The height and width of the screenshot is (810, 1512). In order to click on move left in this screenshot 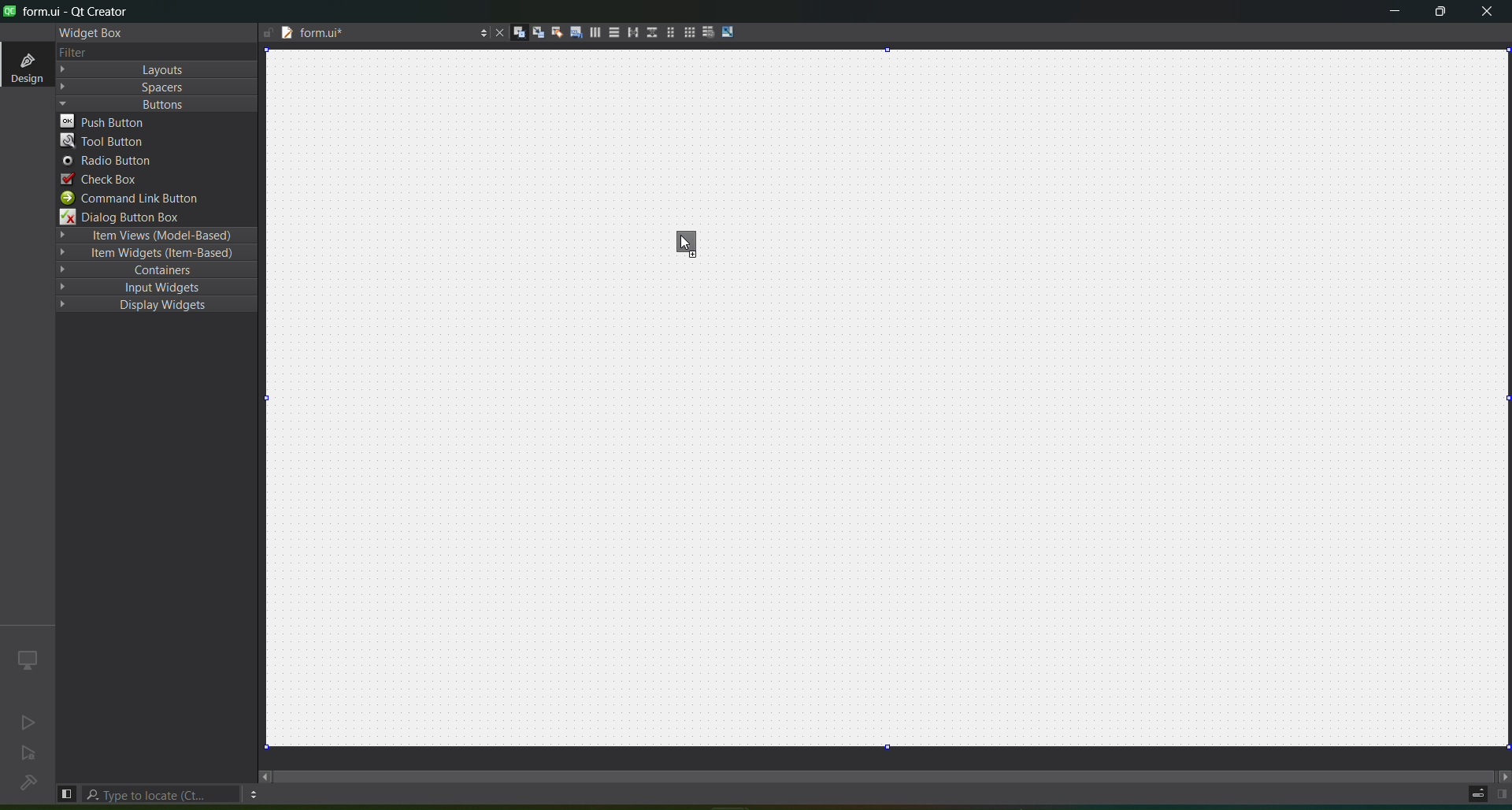, I will do `click(263, 775)`.